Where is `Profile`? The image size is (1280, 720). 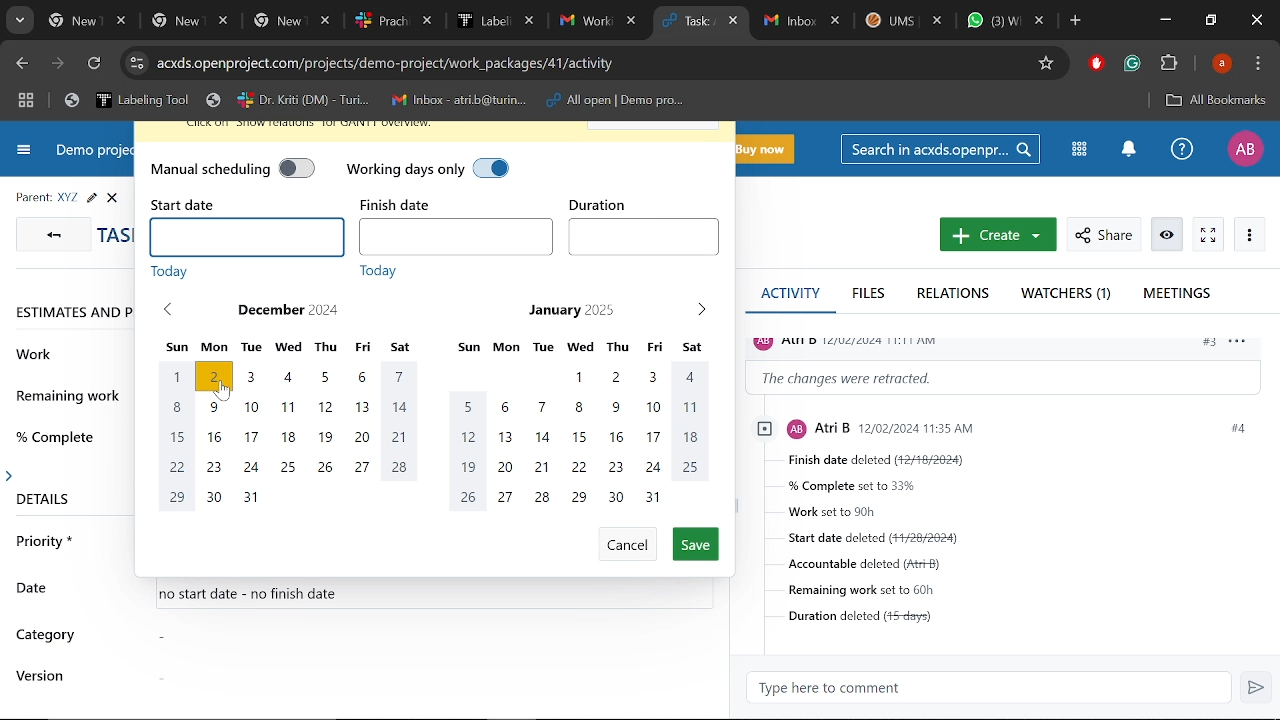
Profile is located at coordinates (1243, 149).